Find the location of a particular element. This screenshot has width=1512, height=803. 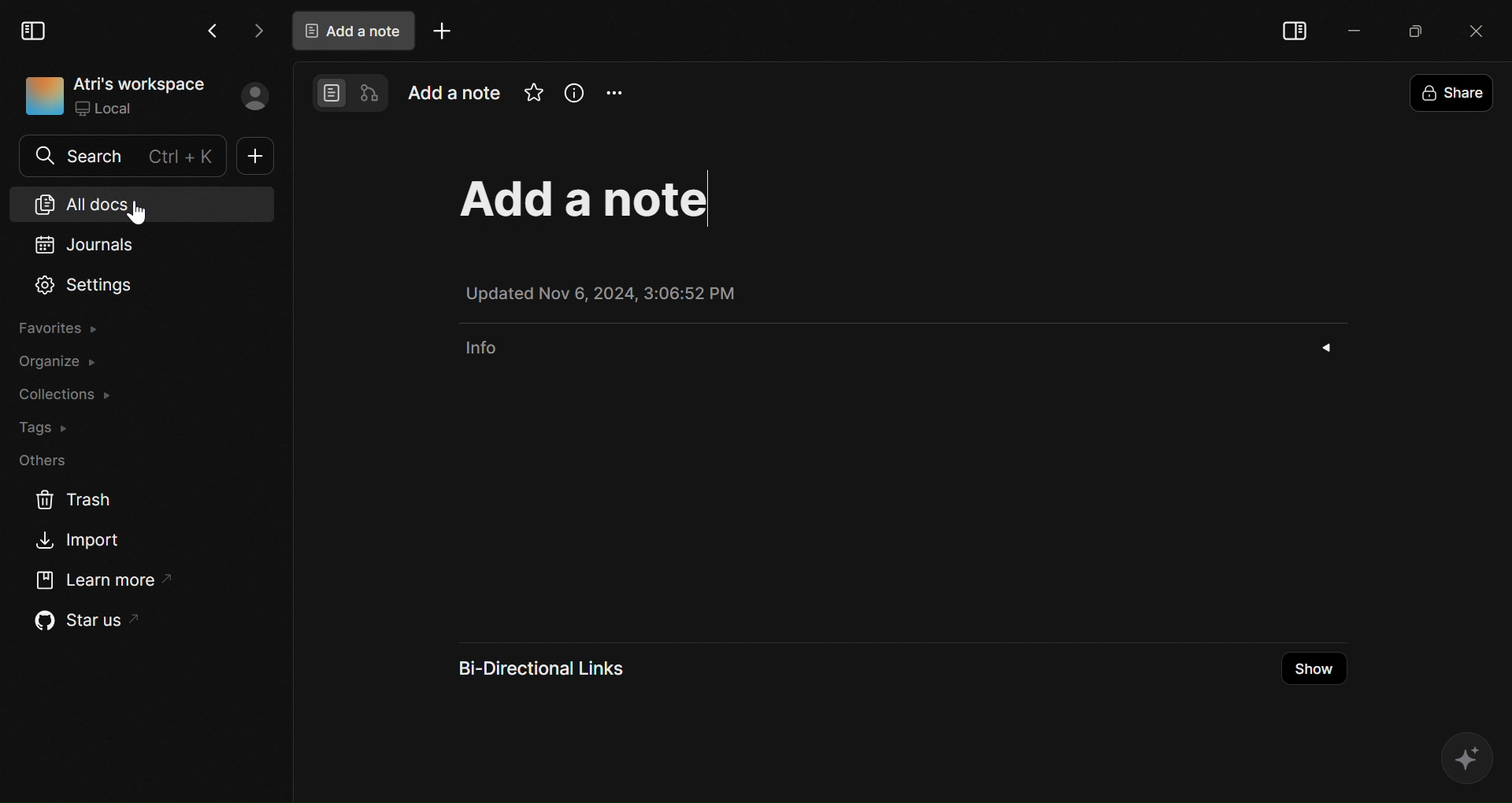

Go forward is located at coordinates (255, 30).